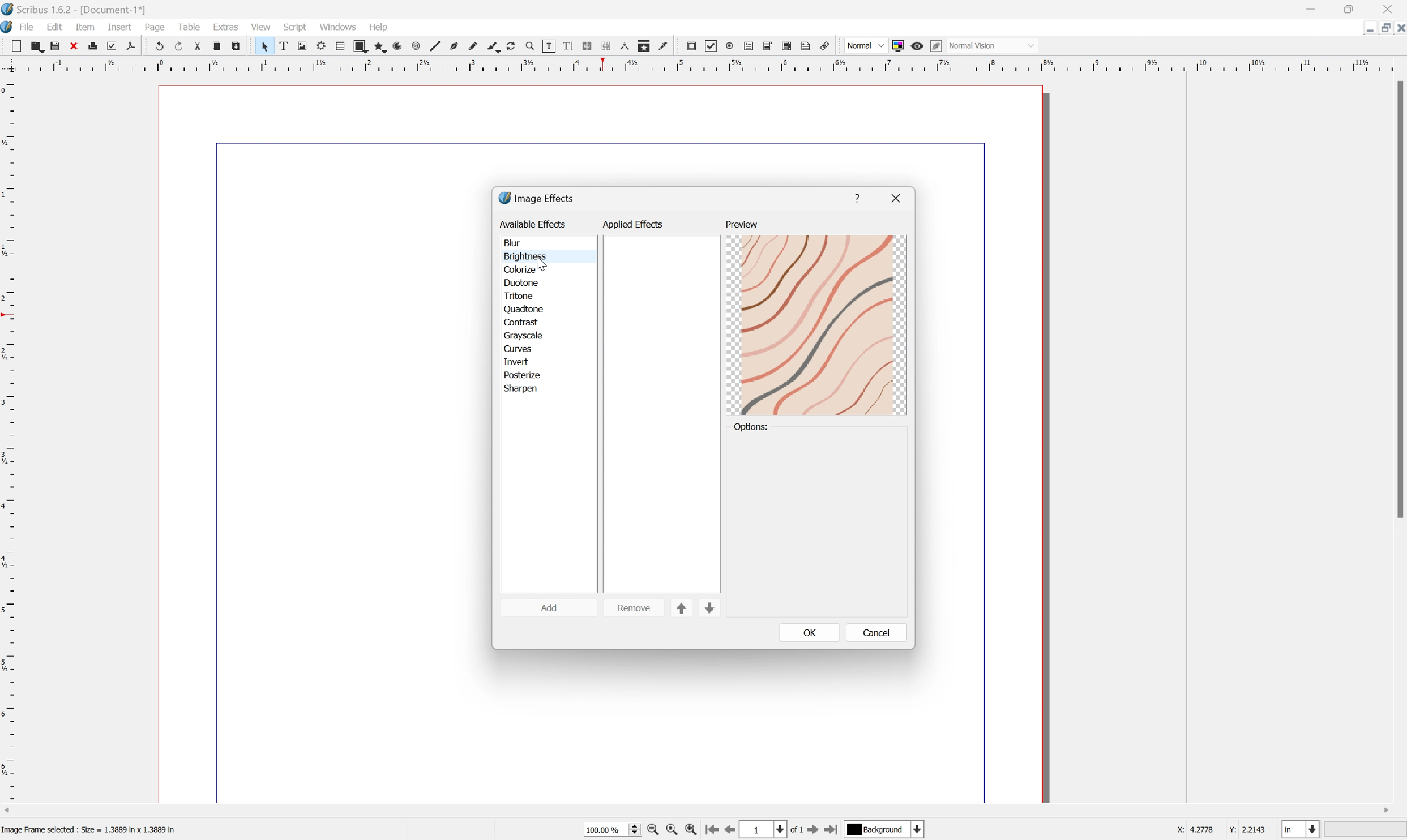  Describe the element at coordinates (1386, 29) in the screenshot. I see `Minimize` at that location.